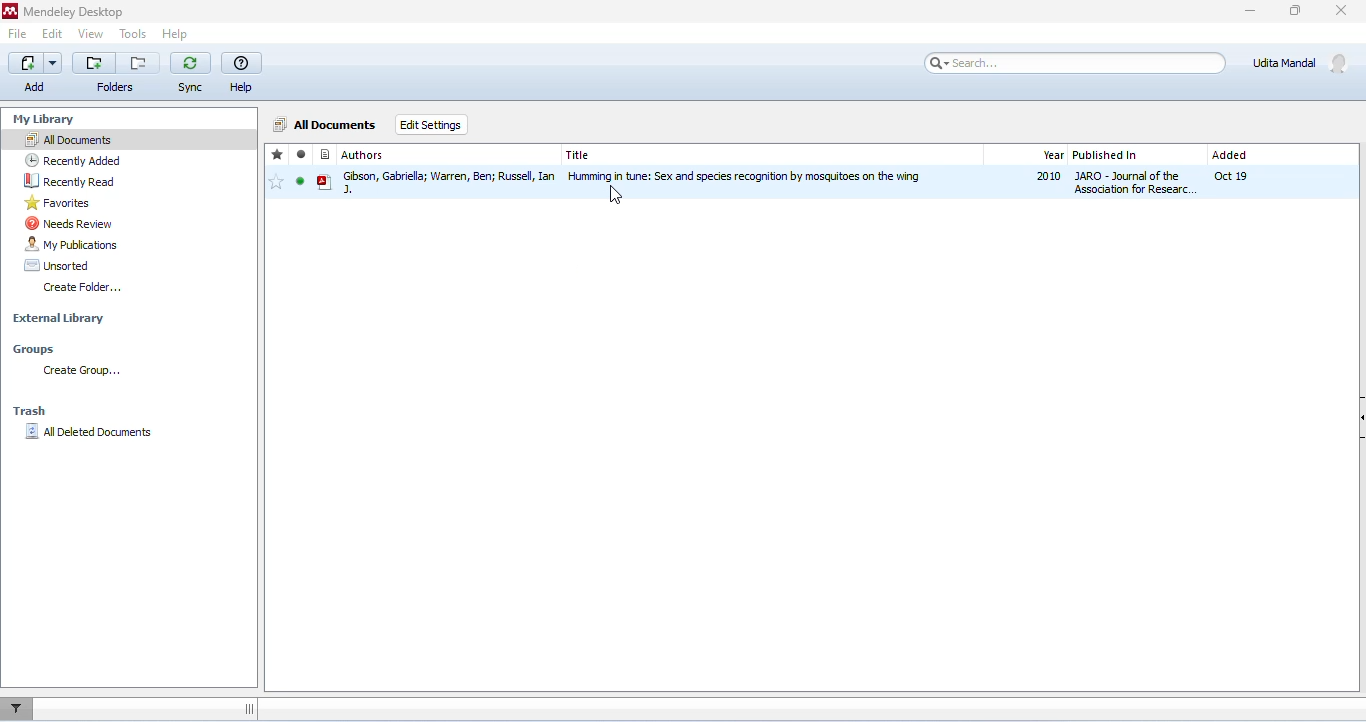  Describe the element at coordinates (243, 73) in the screenshot. I see `help` at that location.